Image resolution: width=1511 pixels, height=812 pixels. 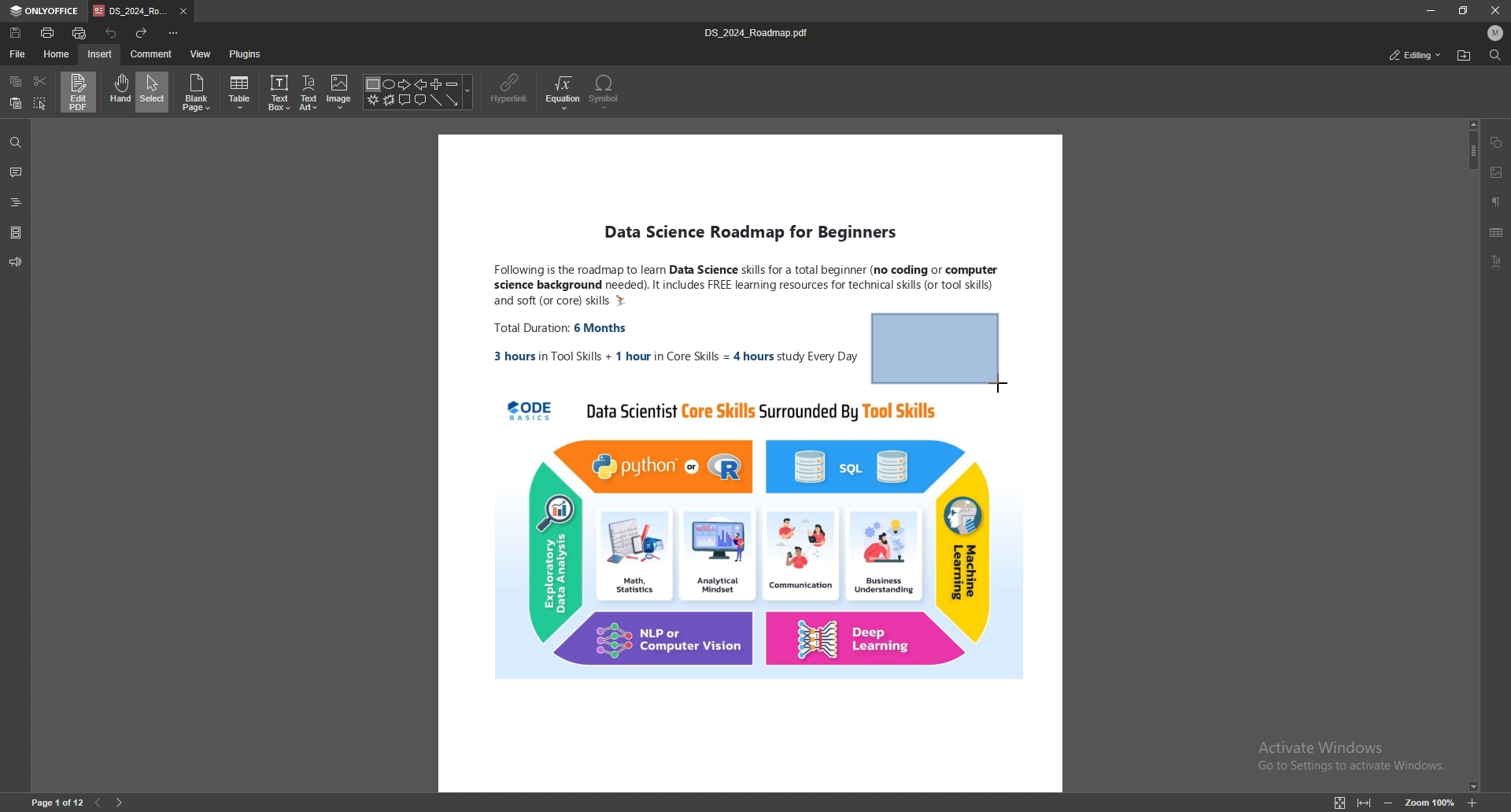 What do you see at coordinates (280, 92) in the screenshot?
I see `text box` at bounding box center [280, 92].